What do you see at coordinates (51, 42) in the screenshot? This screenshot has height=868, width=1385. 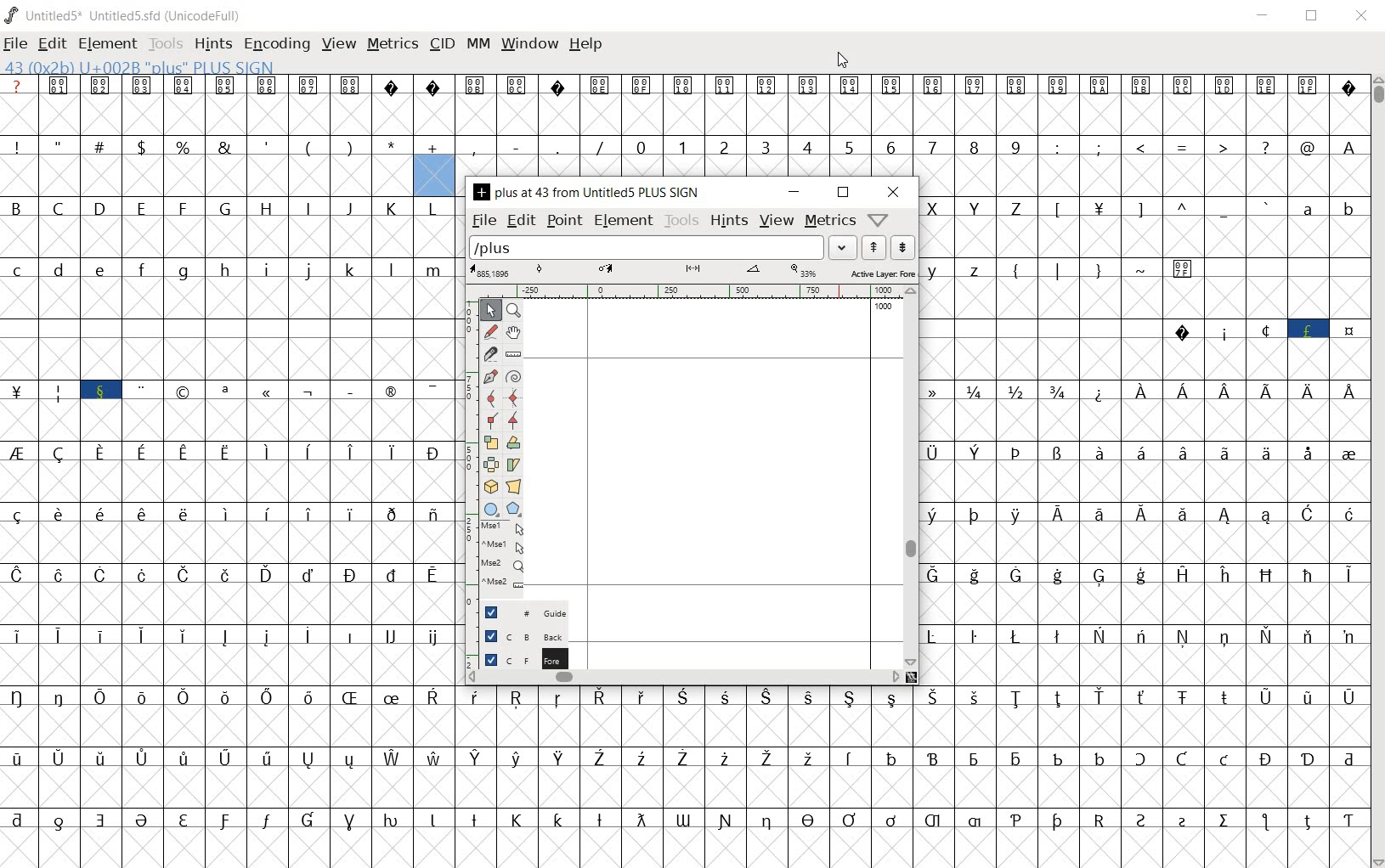 I see `edit` at bounding box center [51, 42].